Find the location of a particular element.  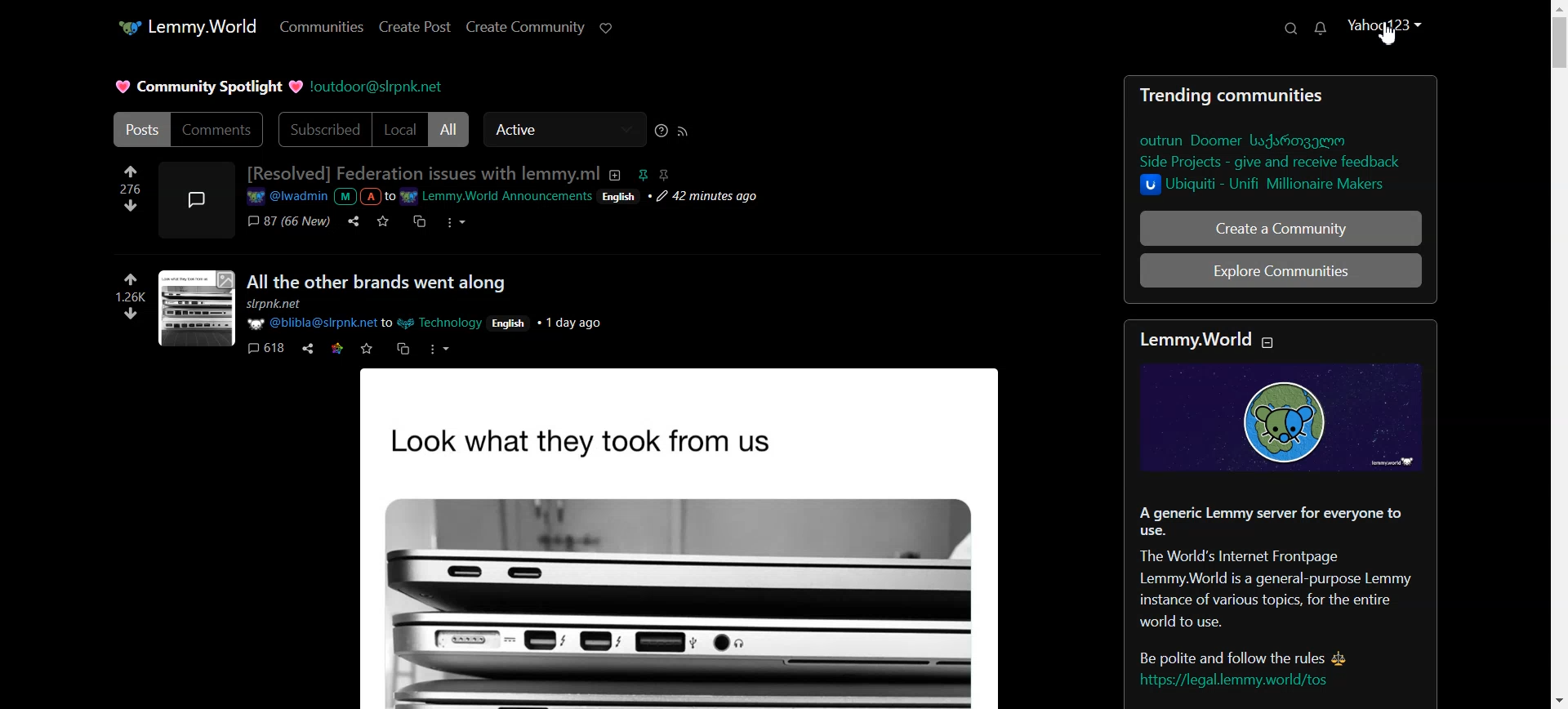

RSS is located at coordinates (683, 131).